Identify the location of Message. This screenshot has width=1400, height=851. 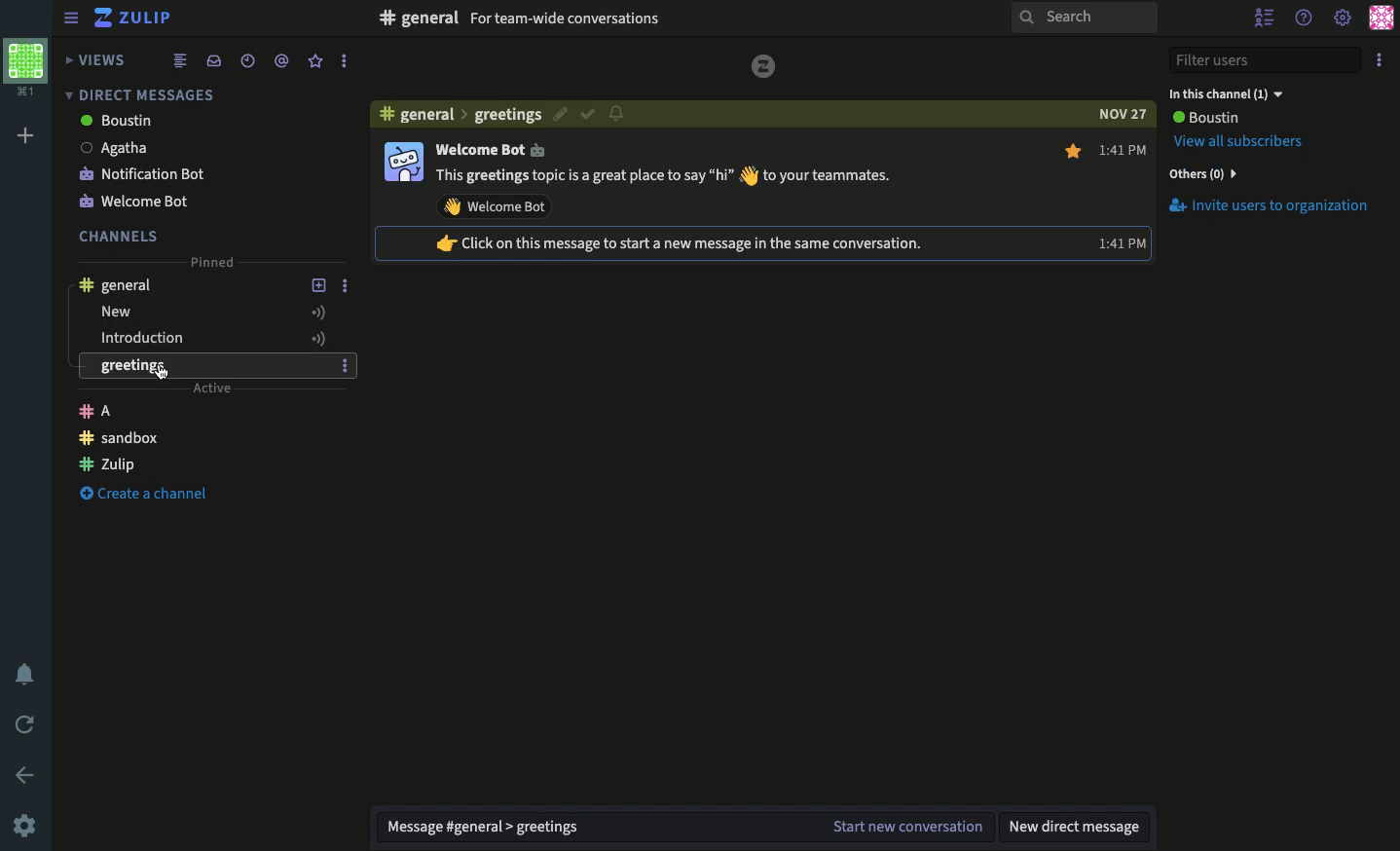
(588, 828).